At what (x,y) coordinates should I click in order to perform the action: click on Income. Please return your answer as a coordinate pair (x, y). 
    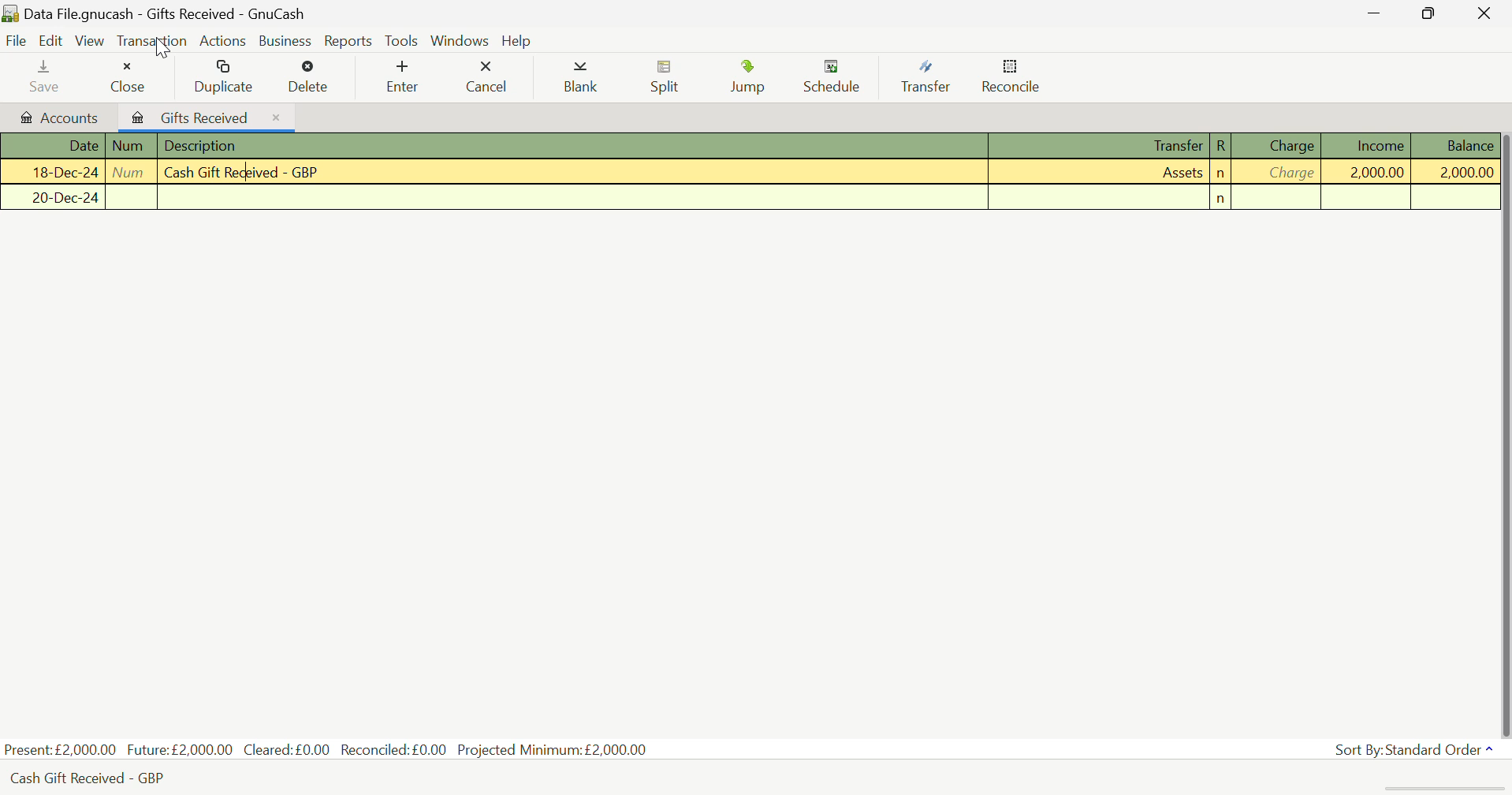
    Looking at the image, I should click on (1369, 198).